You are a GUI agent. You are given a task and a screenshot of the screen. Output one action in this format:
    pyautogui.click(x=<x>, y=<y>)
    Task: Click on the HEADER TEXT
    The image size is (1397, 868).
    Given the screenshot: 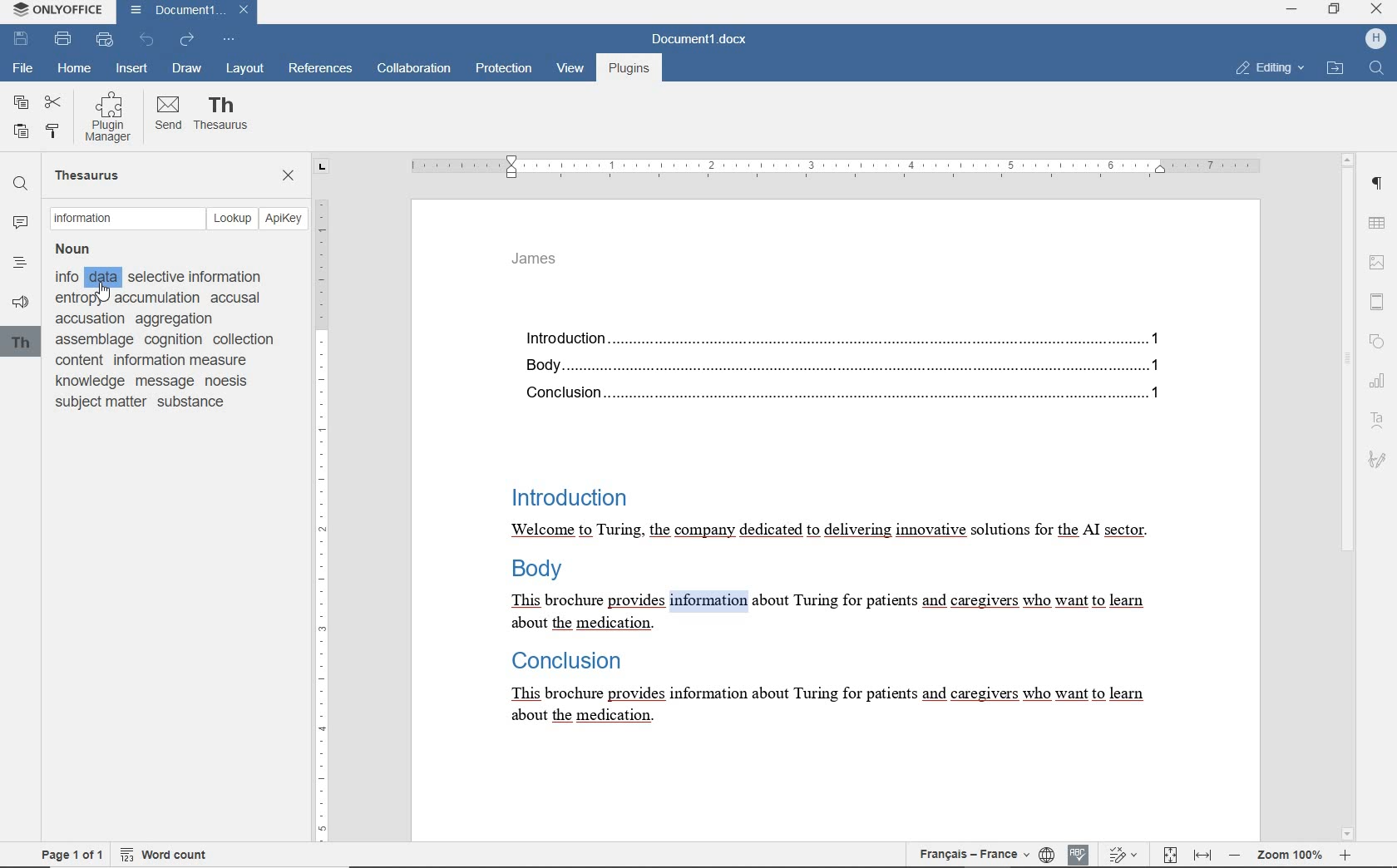 What is the action you would take?
    pyautogui.click(x=533, y=259)
    